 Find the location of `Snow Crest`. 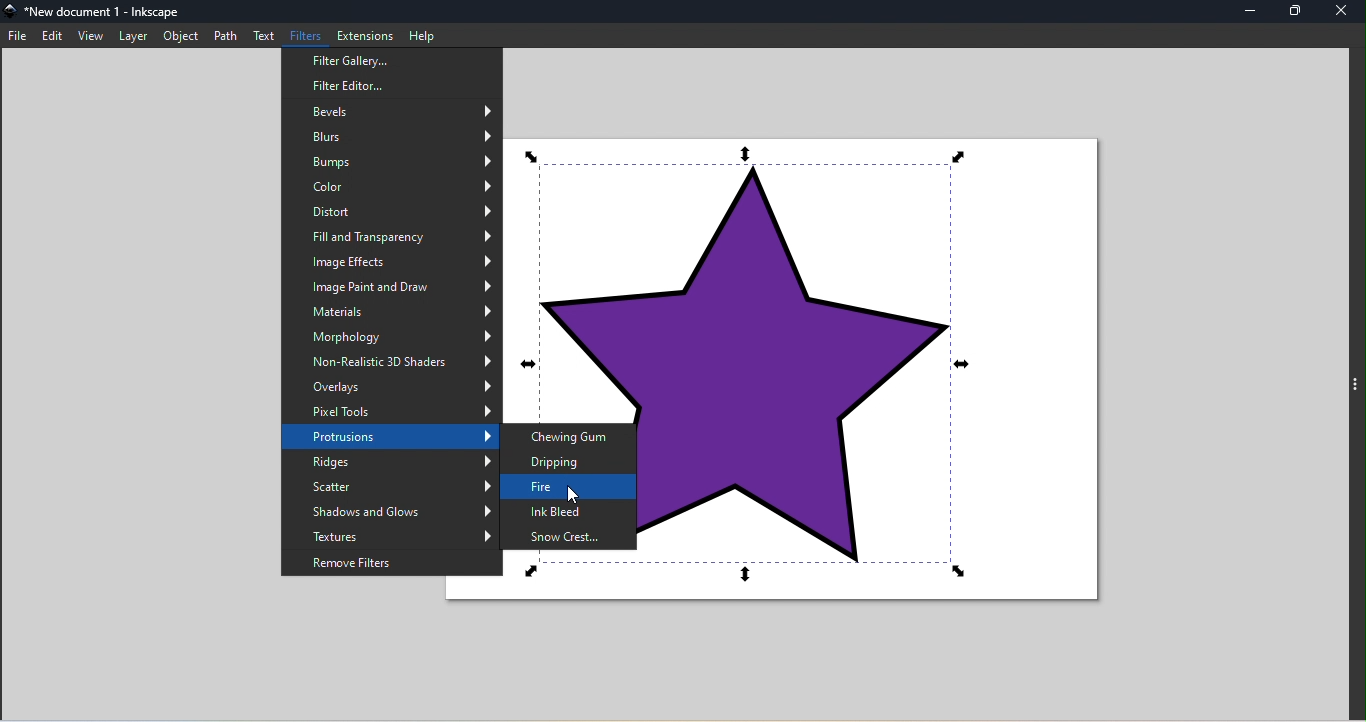

Snow Crest is located at coordinates (571, 539).